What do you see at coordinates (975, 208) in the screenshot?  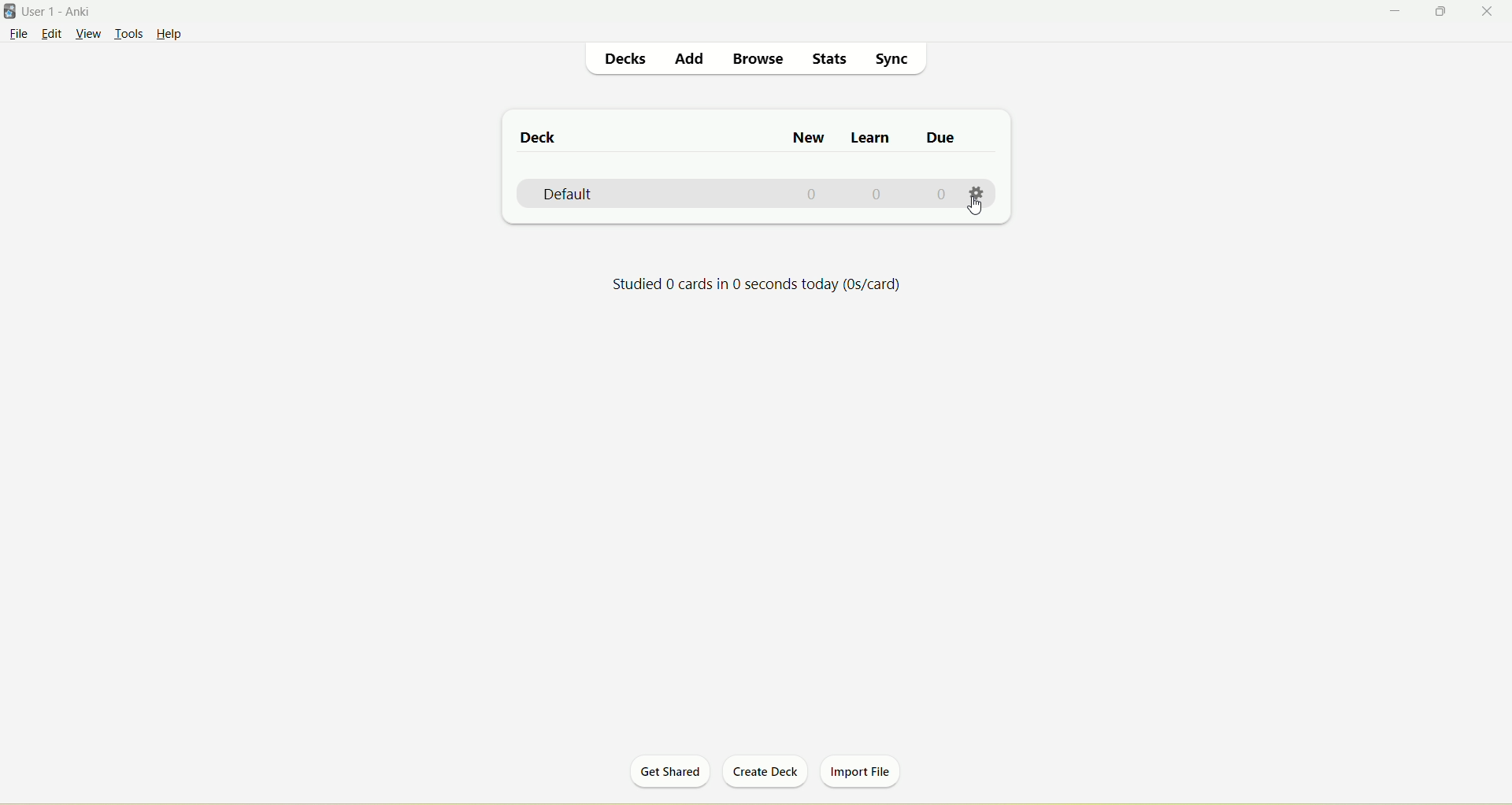 I see `cursor` at bounding box center [975, 208].